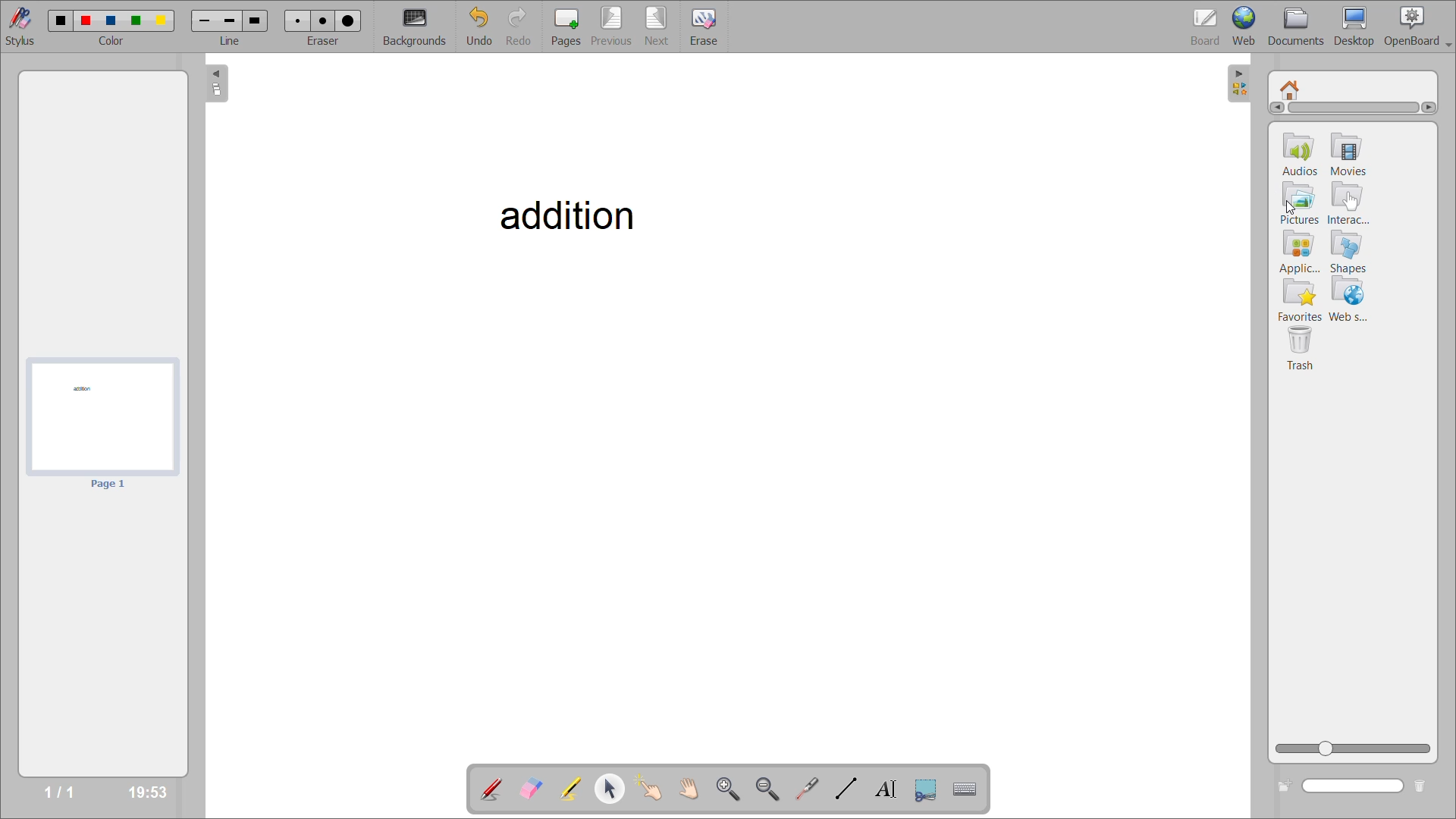 The image size is (1456, 819). I want to click on scroll page, so click(694, 787).